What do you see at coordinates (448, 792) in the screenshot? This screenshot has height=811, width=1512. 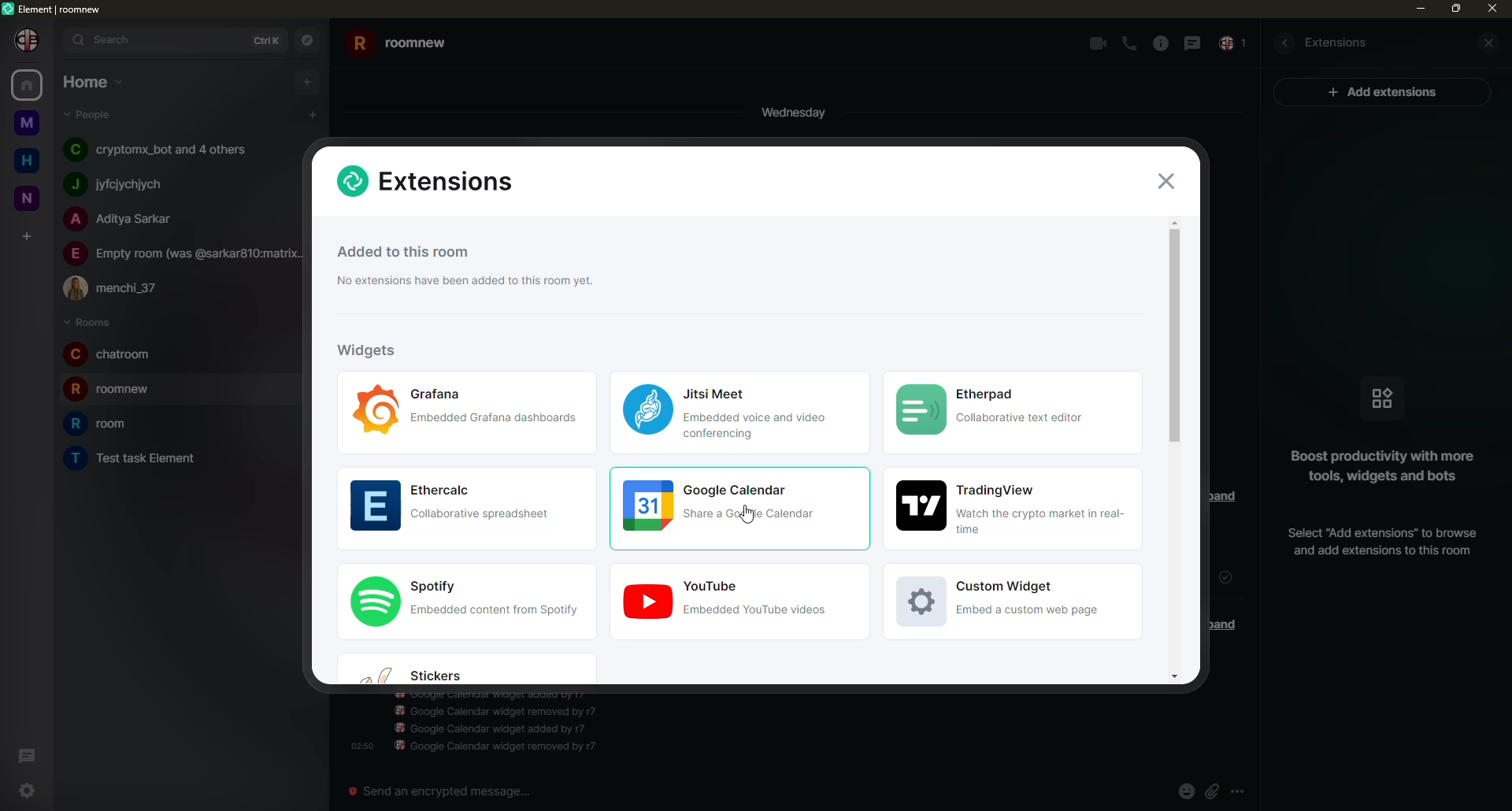 I see `send an emergency message` at bounding box center [448, 792].